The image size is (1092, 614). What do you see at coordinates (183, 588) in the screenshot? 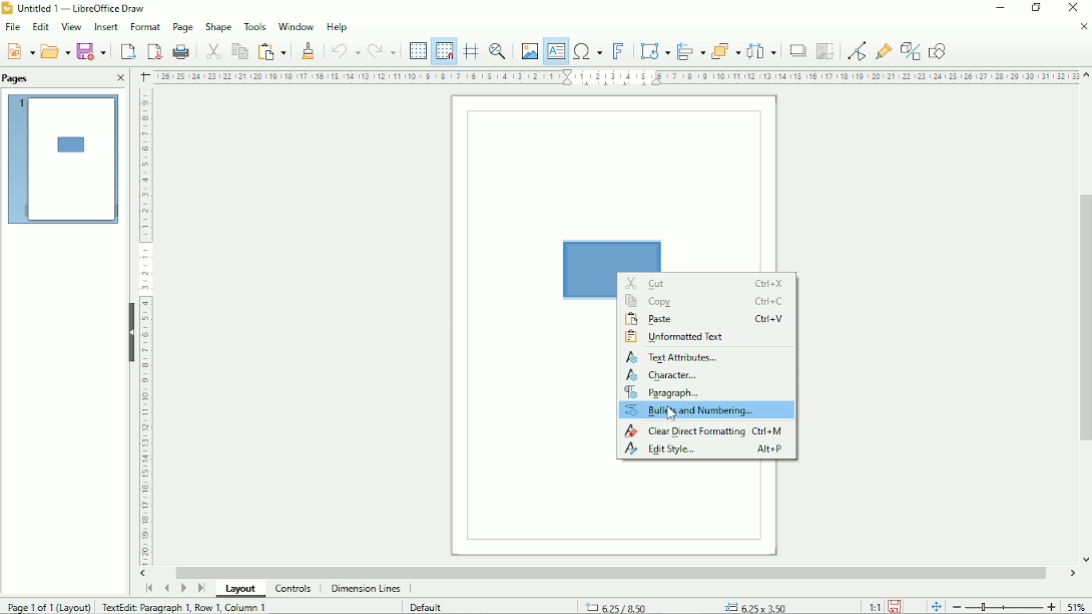
I see `Scroll to next page` at bounding box center [183, 588].